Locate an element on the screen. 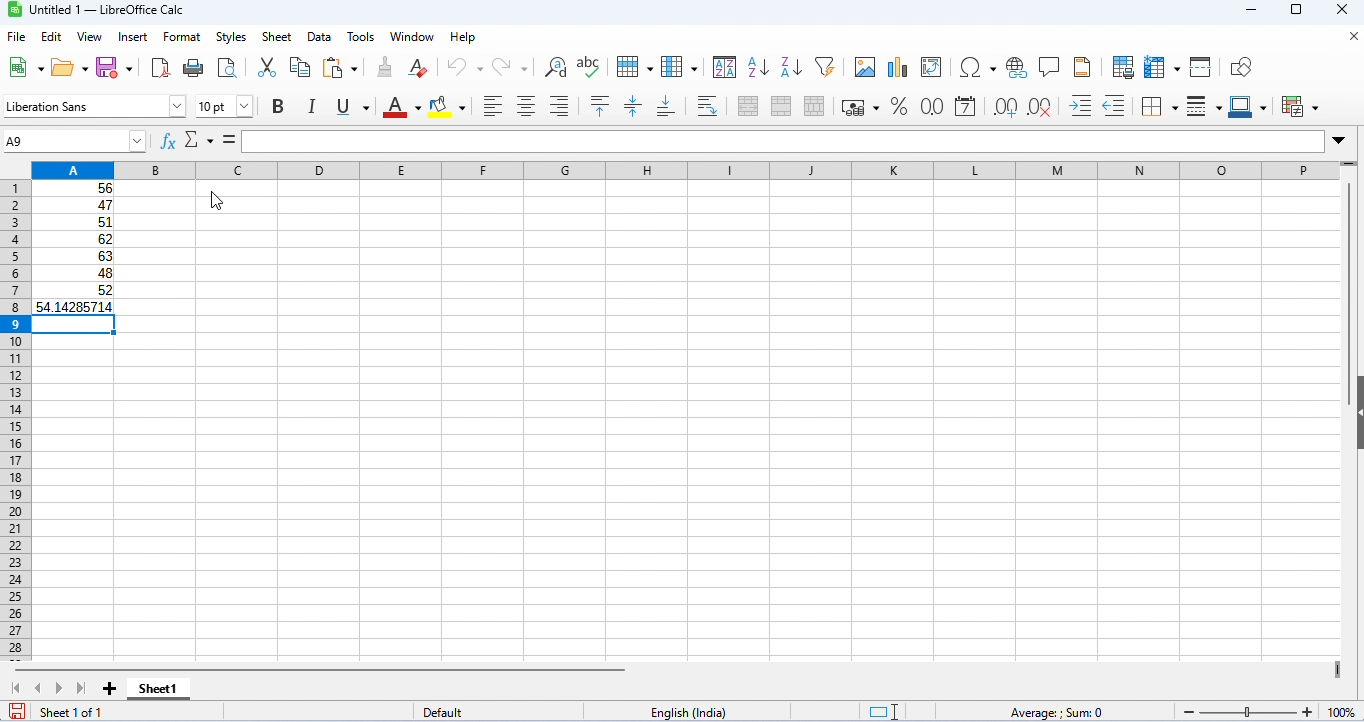 This screenshot has width=1364, height=722. close or open side bar is located at coordinates (1355, 428).